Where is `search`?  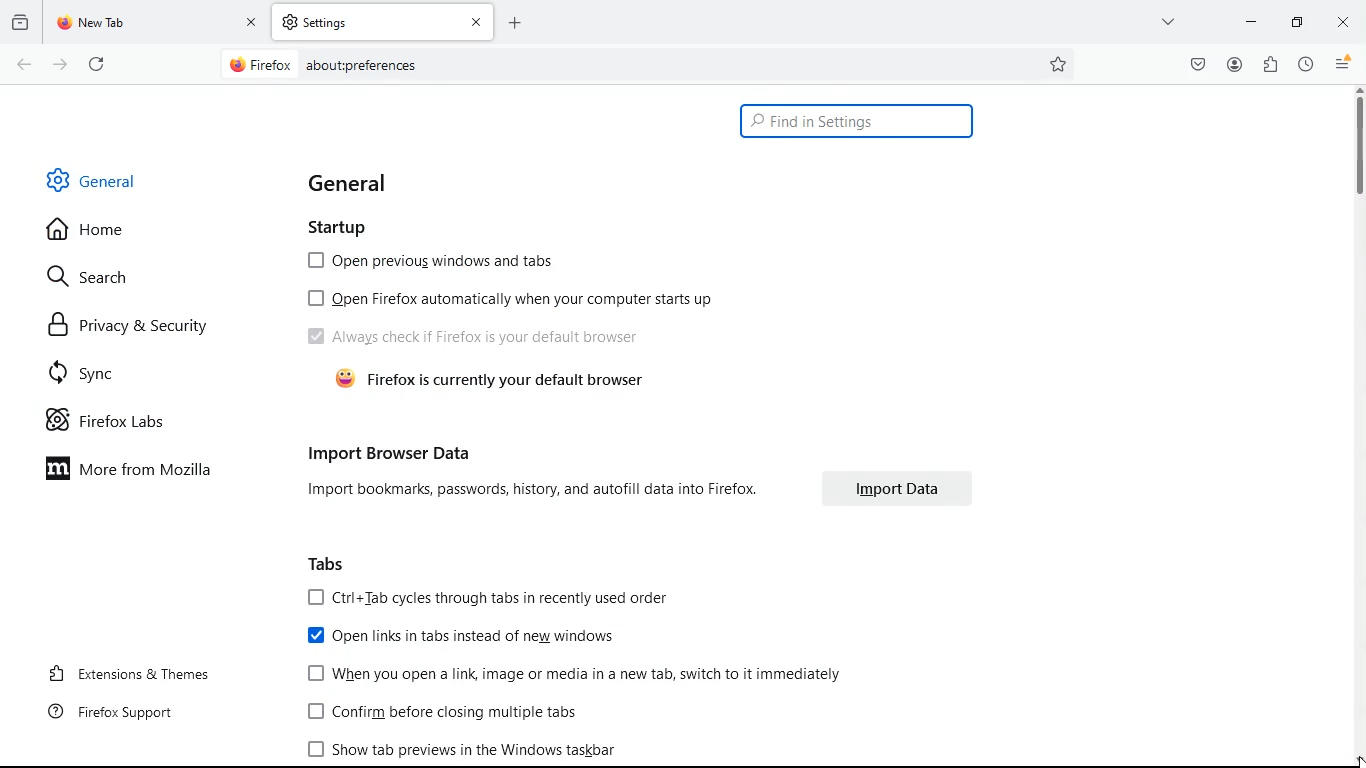
search is located at coordinates (97, 279).